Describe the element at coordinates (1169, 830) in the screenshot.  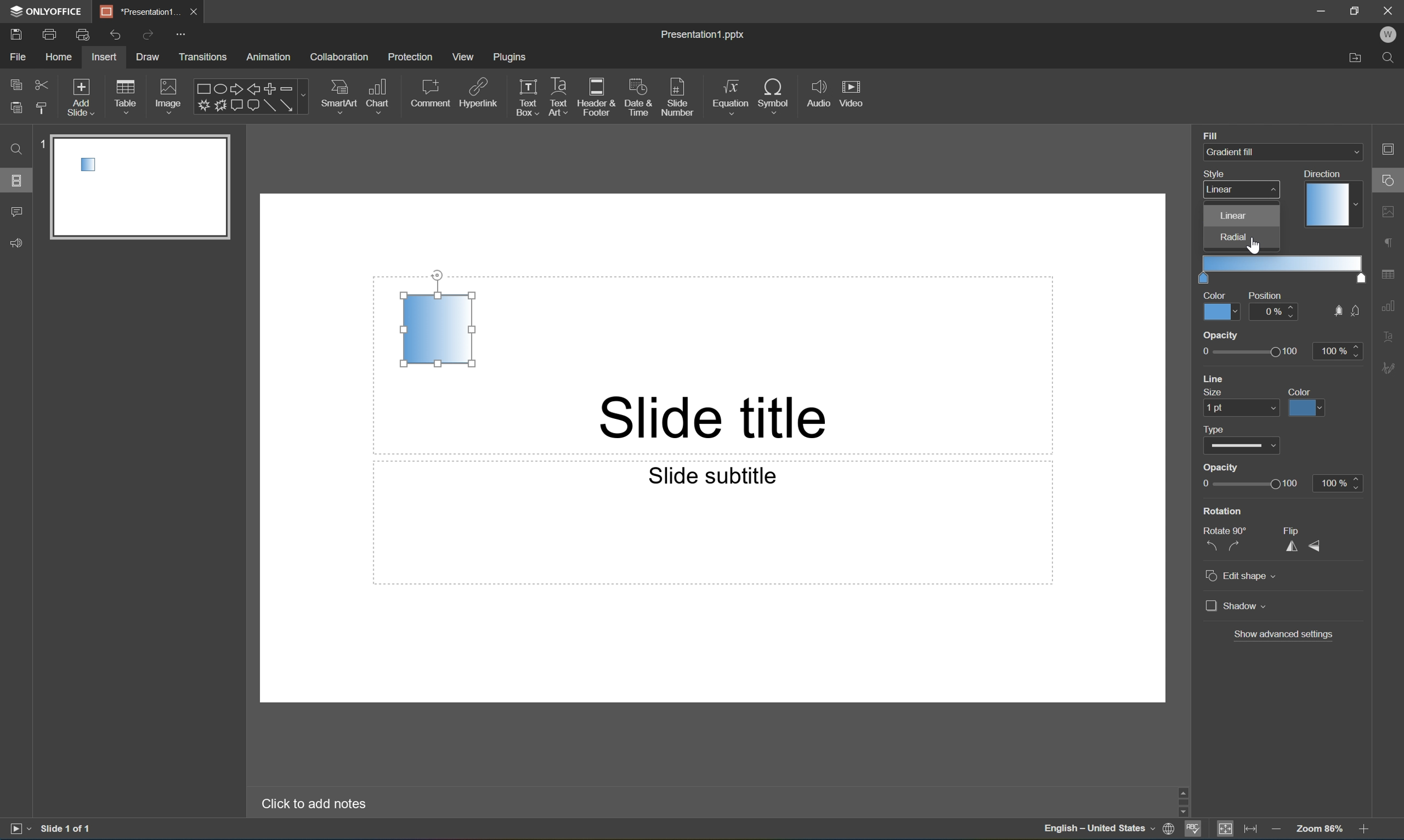
I see `Set document language` at that location.